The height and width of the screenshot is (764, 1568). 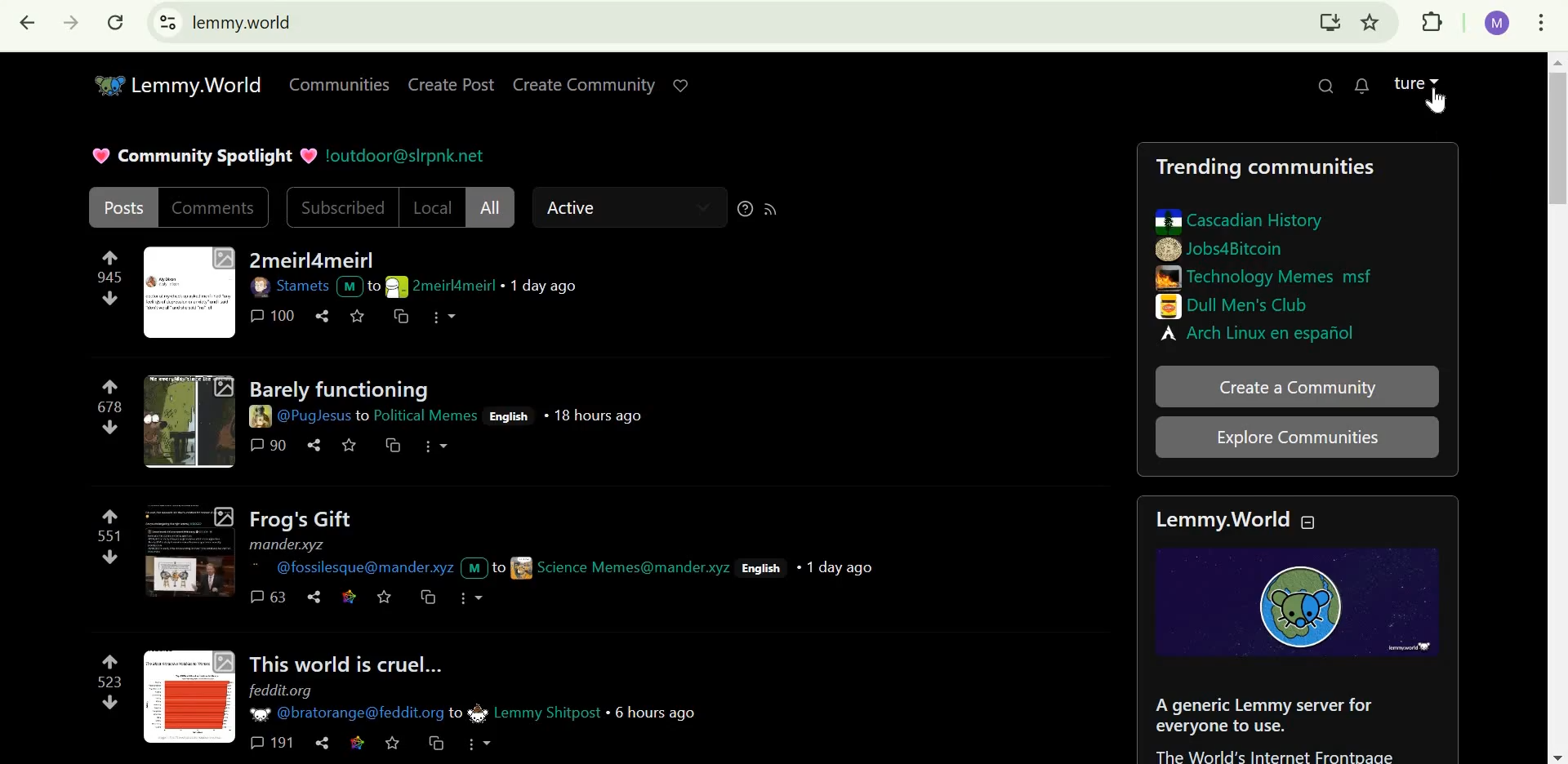 I want to click on downvote, so click(x=109, y=300).